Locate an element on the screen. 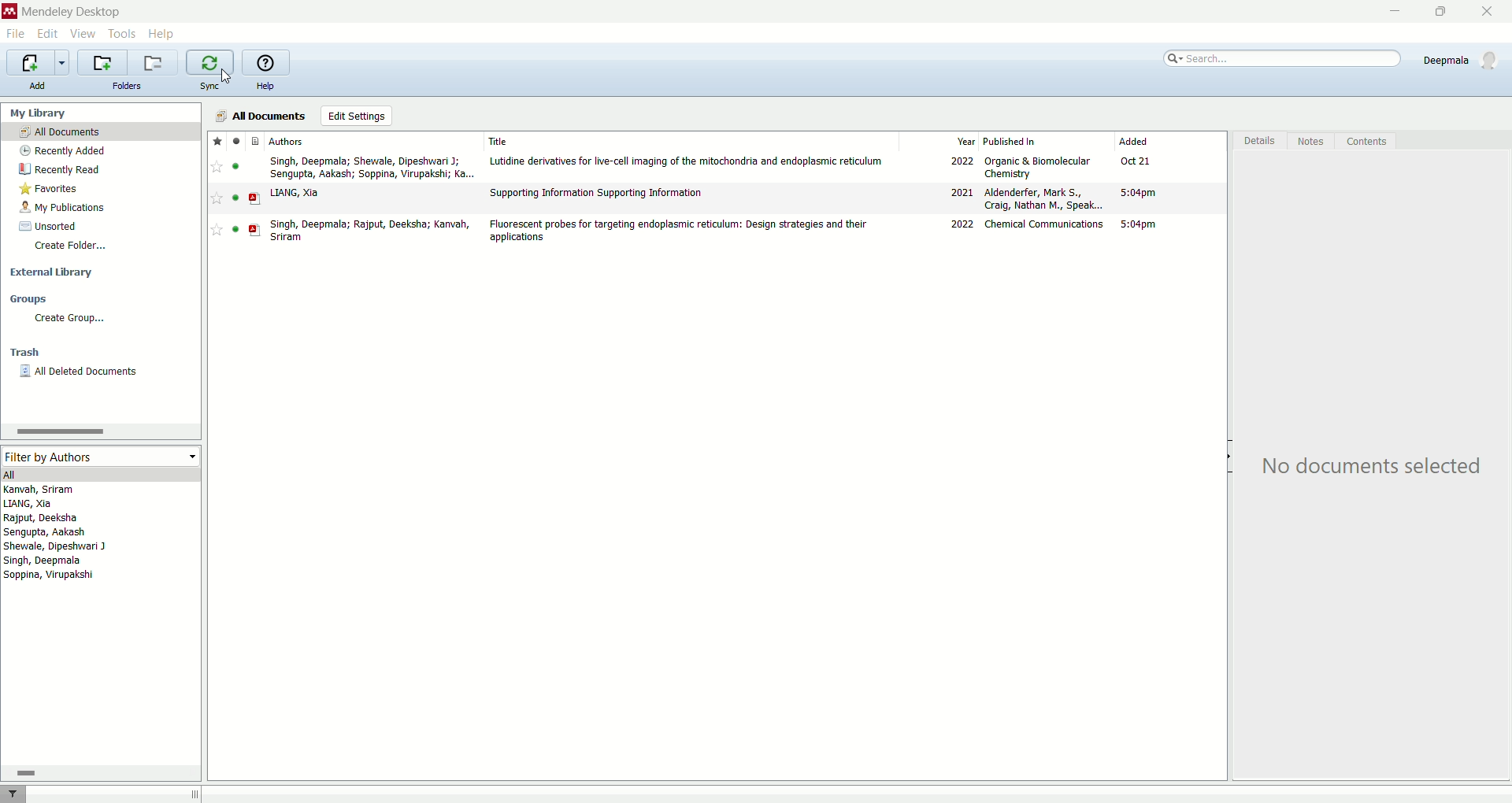 This screenshot has width=1512, height=803. all documents is located at coordinates (101, 132).